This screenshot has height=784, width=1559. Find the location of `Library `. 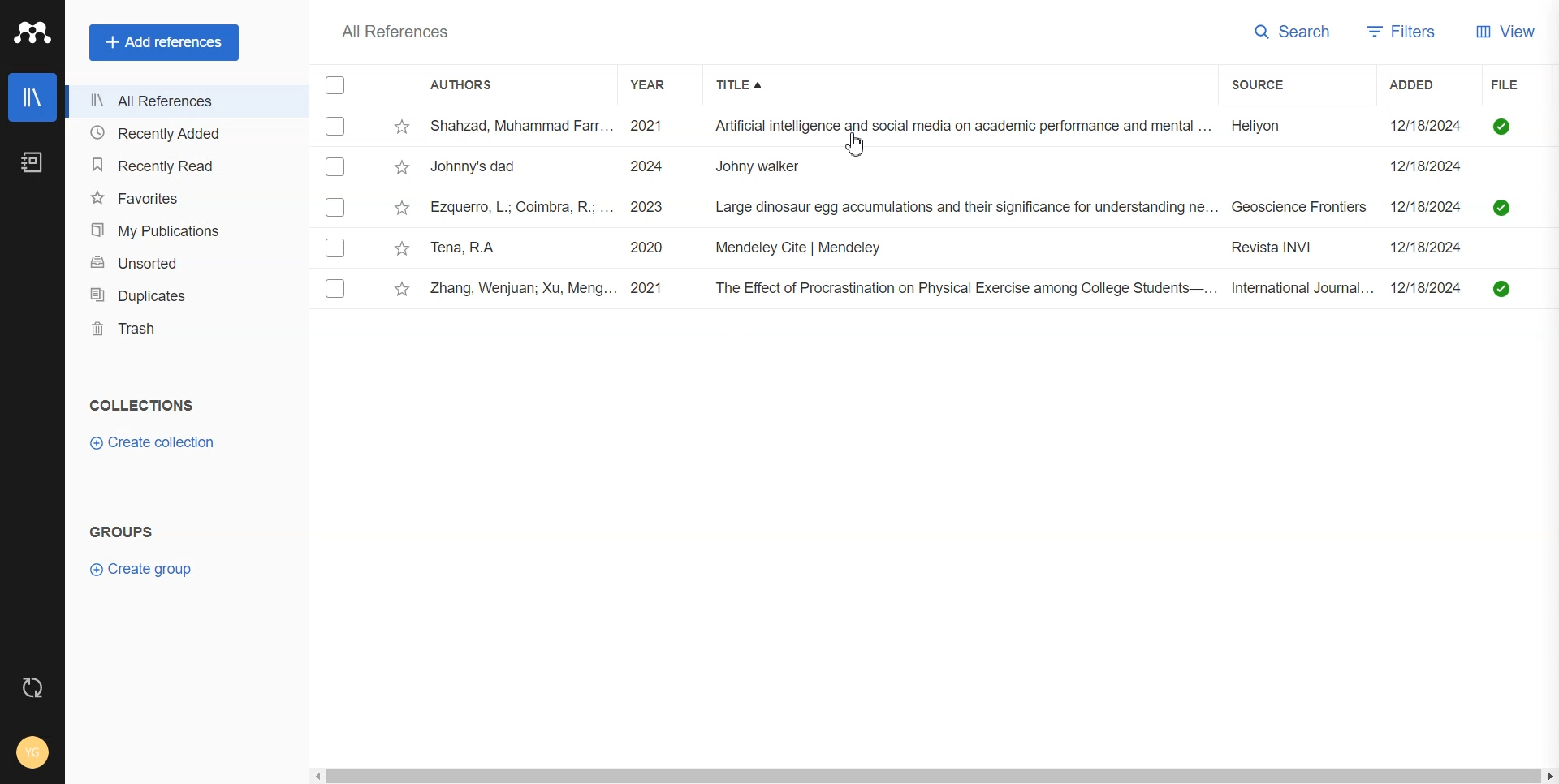

Library  is located at coordinates (32, 97).